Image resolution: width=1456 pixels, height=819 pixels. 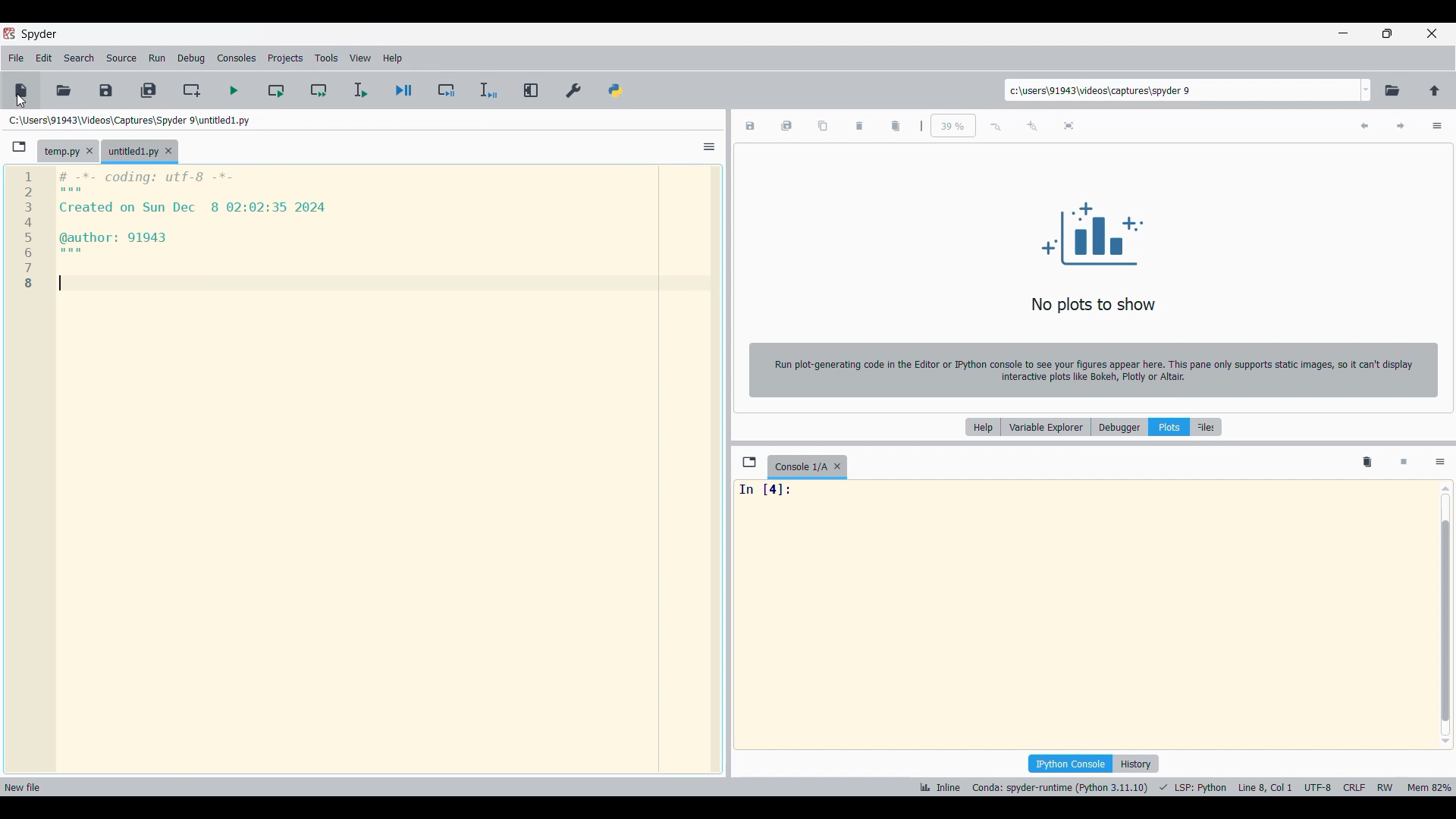 What do you see at coordinates (1366, 126) in the screenshot?
I see `Previous plot` at bounding box center [1366, 126].